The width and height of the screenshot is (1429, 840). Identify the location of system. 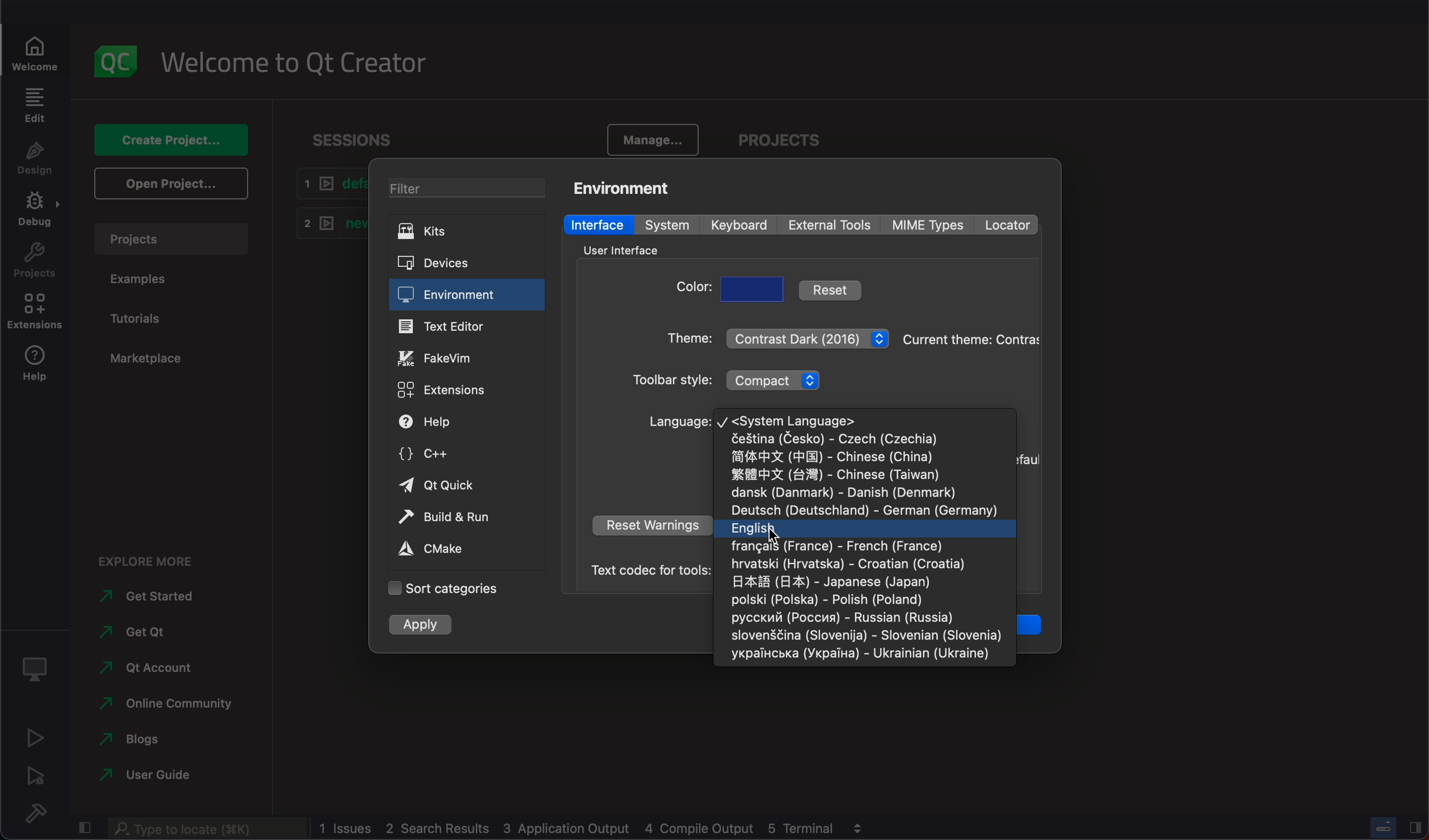
(665, 225).